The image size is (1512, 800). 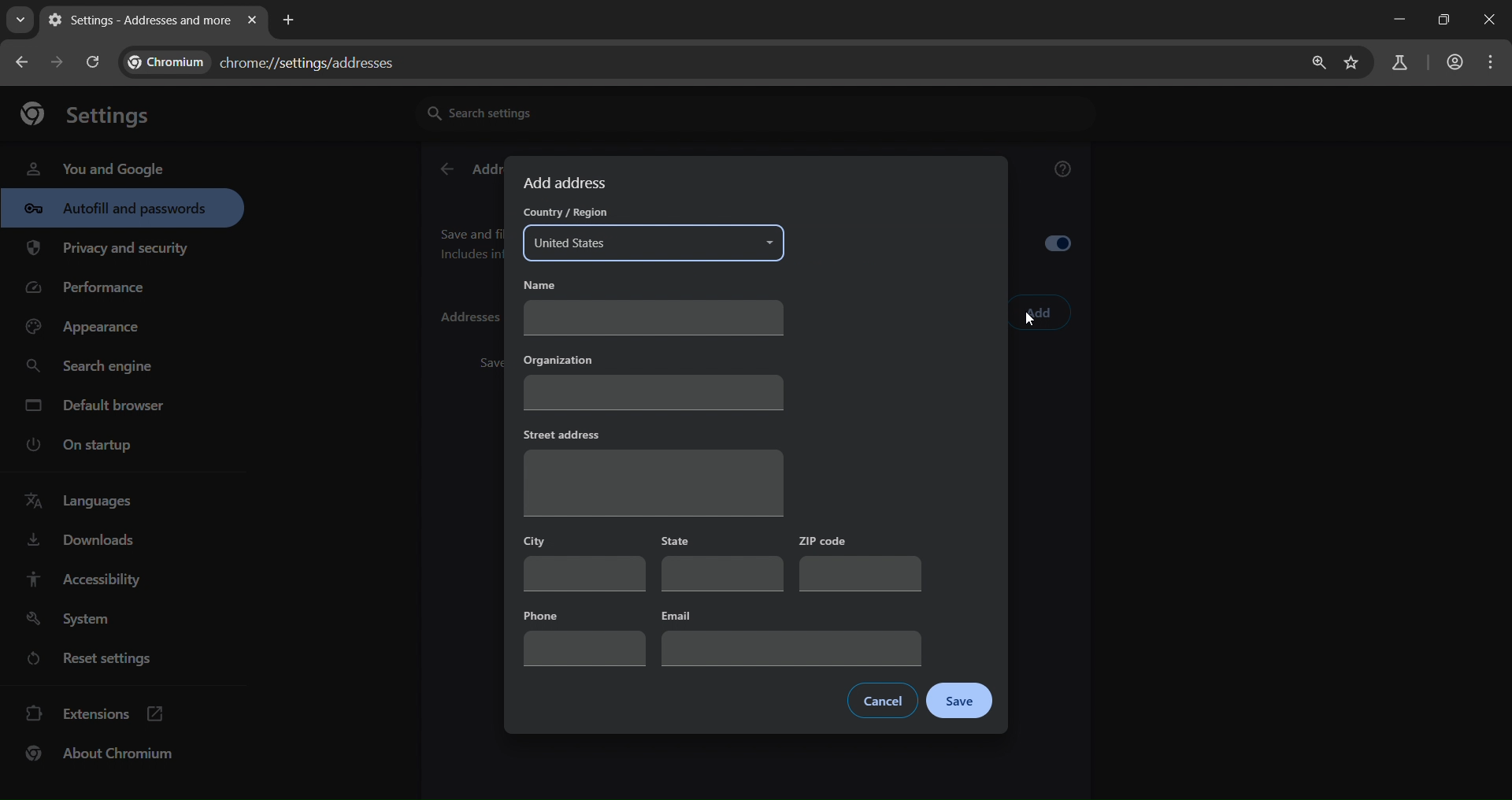 I want to click on downloads, so click(x=80, y=543).